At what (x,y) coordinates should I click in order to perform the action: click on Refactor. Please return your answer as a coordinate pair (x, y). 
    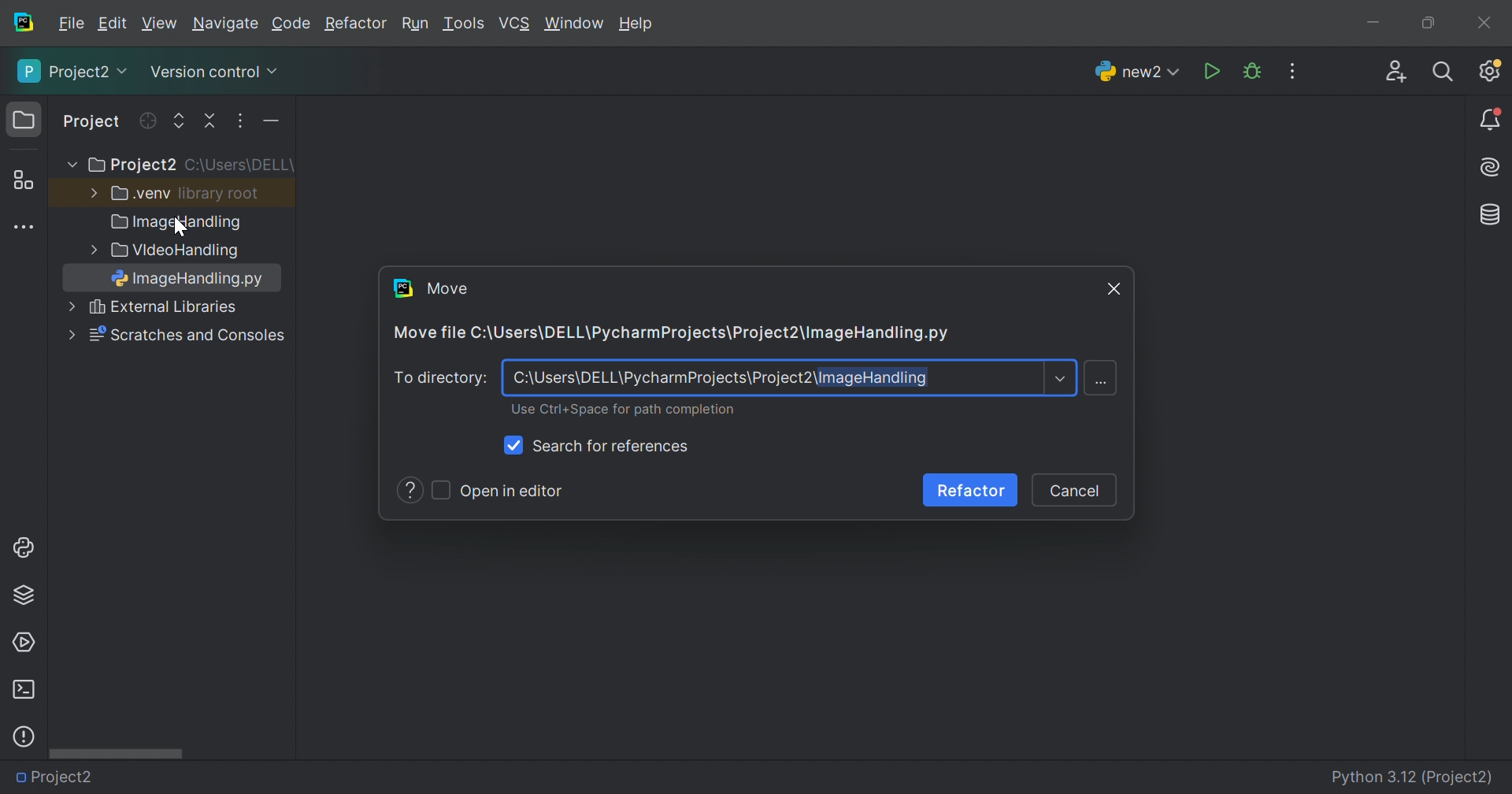
    Looking at the image, I should click on (968, 490).